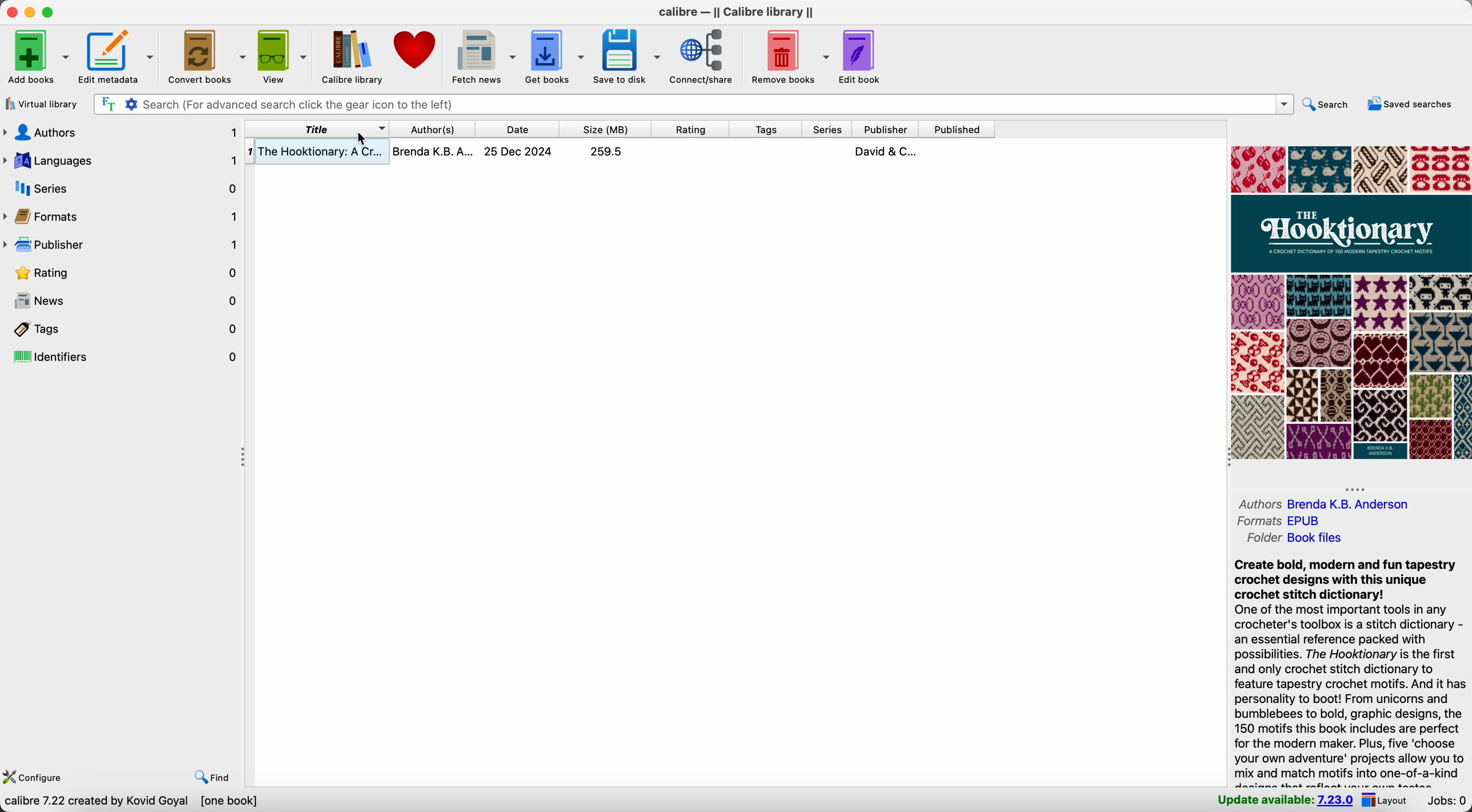  What do you see at coordinates (1303, 538) in the screenshot?
I see `folder` at bounding box center [1303, 538].